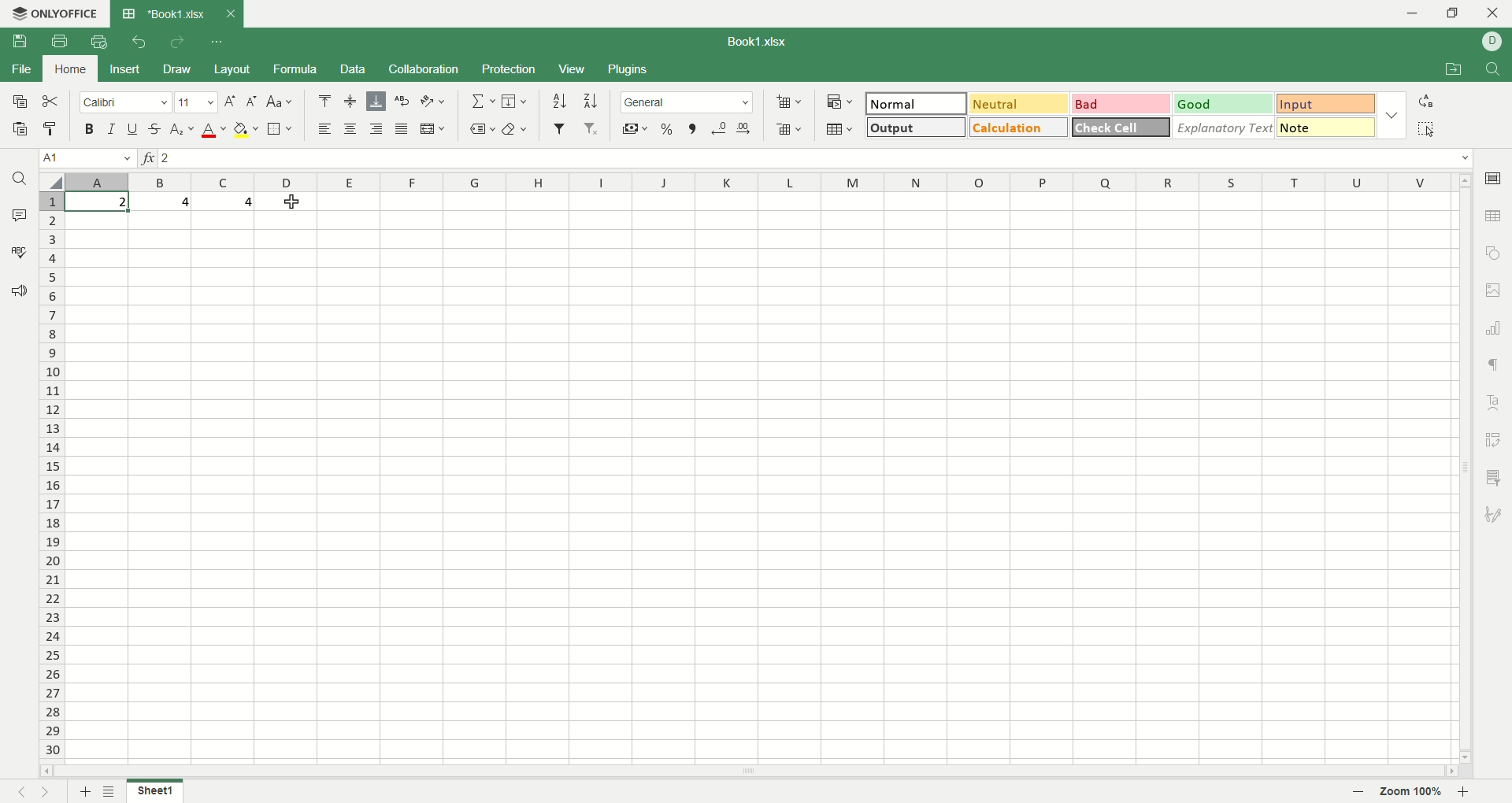 This screenshot has width=1512, height=803. What do you see at coordinates (744, 129) in the screenshot?
I see `increase decimal` at bounding box center [744, 129].